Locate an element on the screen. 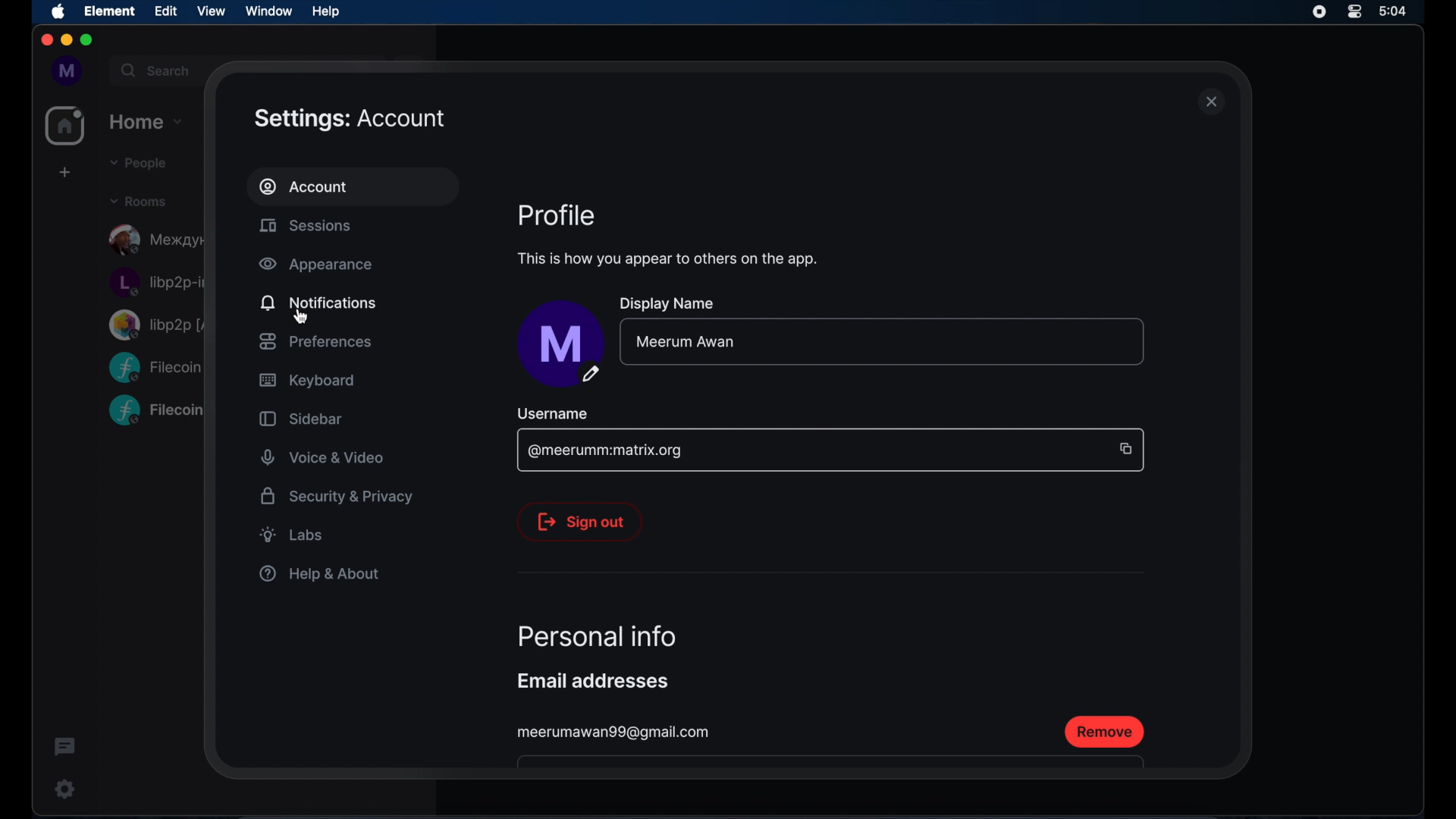  5:04 is located at coordinates (1401, 12).